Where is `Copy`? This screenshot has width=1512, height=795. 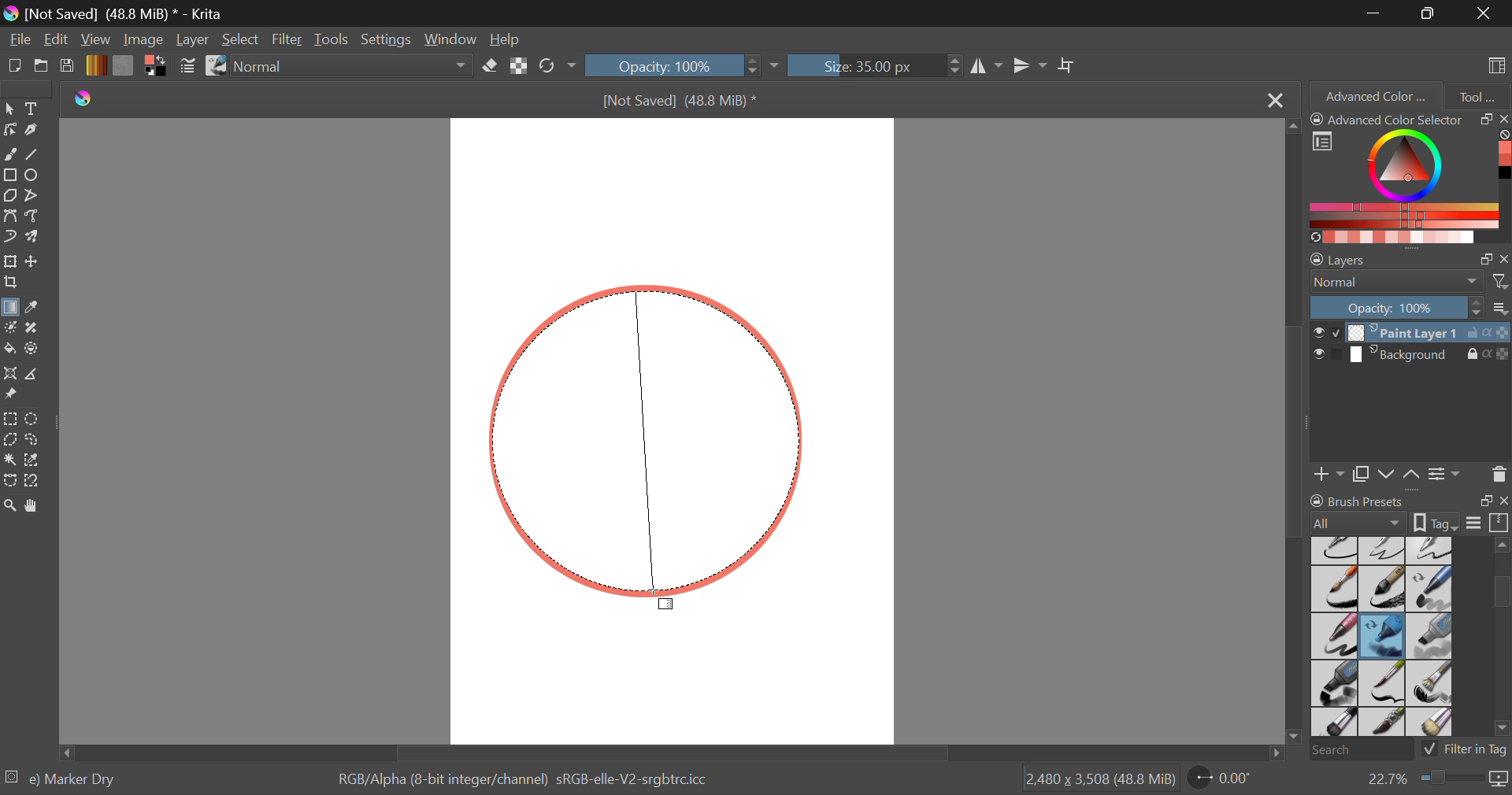 Copy is located at coordinates (1364, 471).